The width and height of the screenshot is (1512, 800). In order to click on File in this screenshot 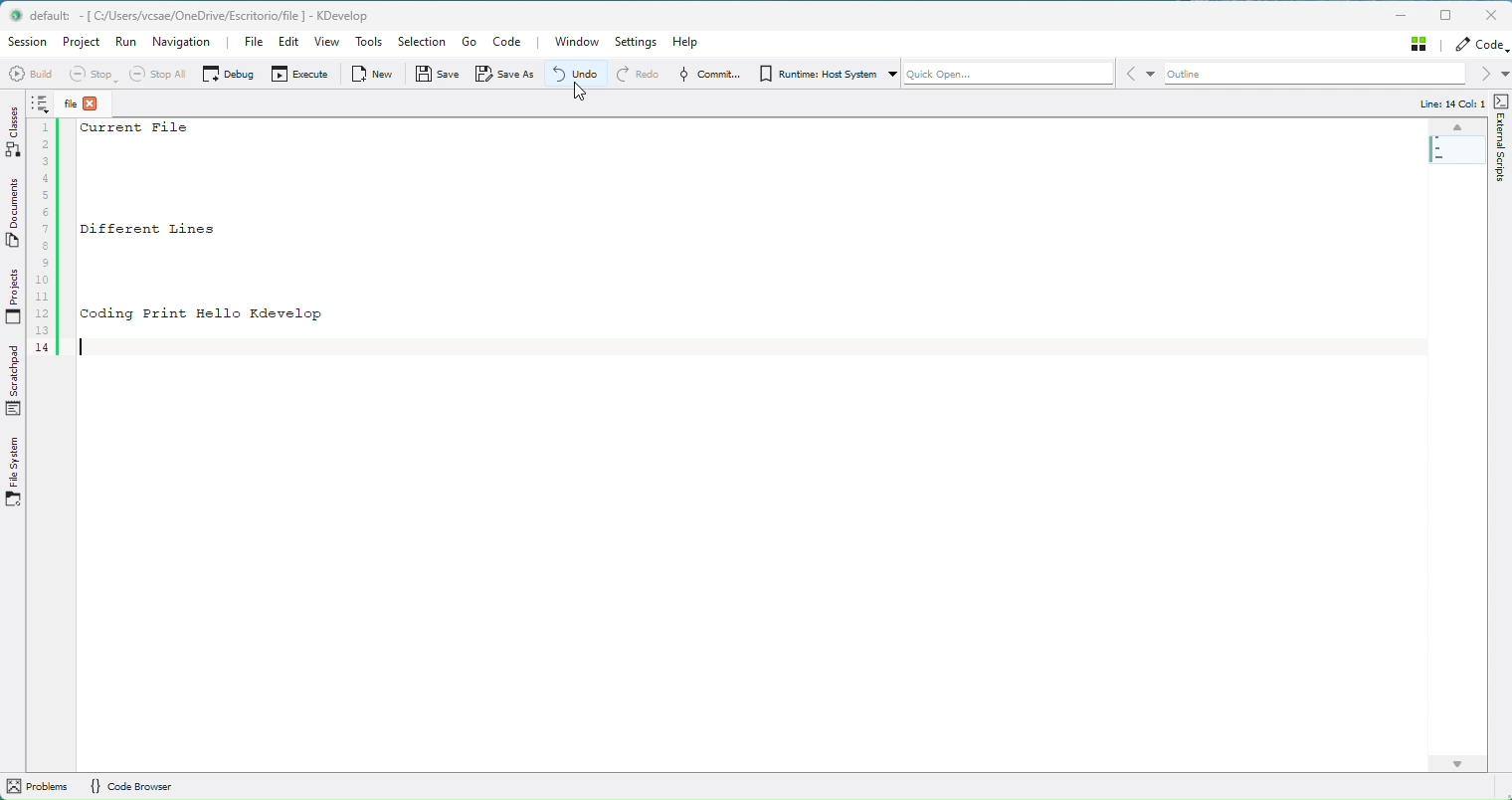, I will do `click(253, 44)`.